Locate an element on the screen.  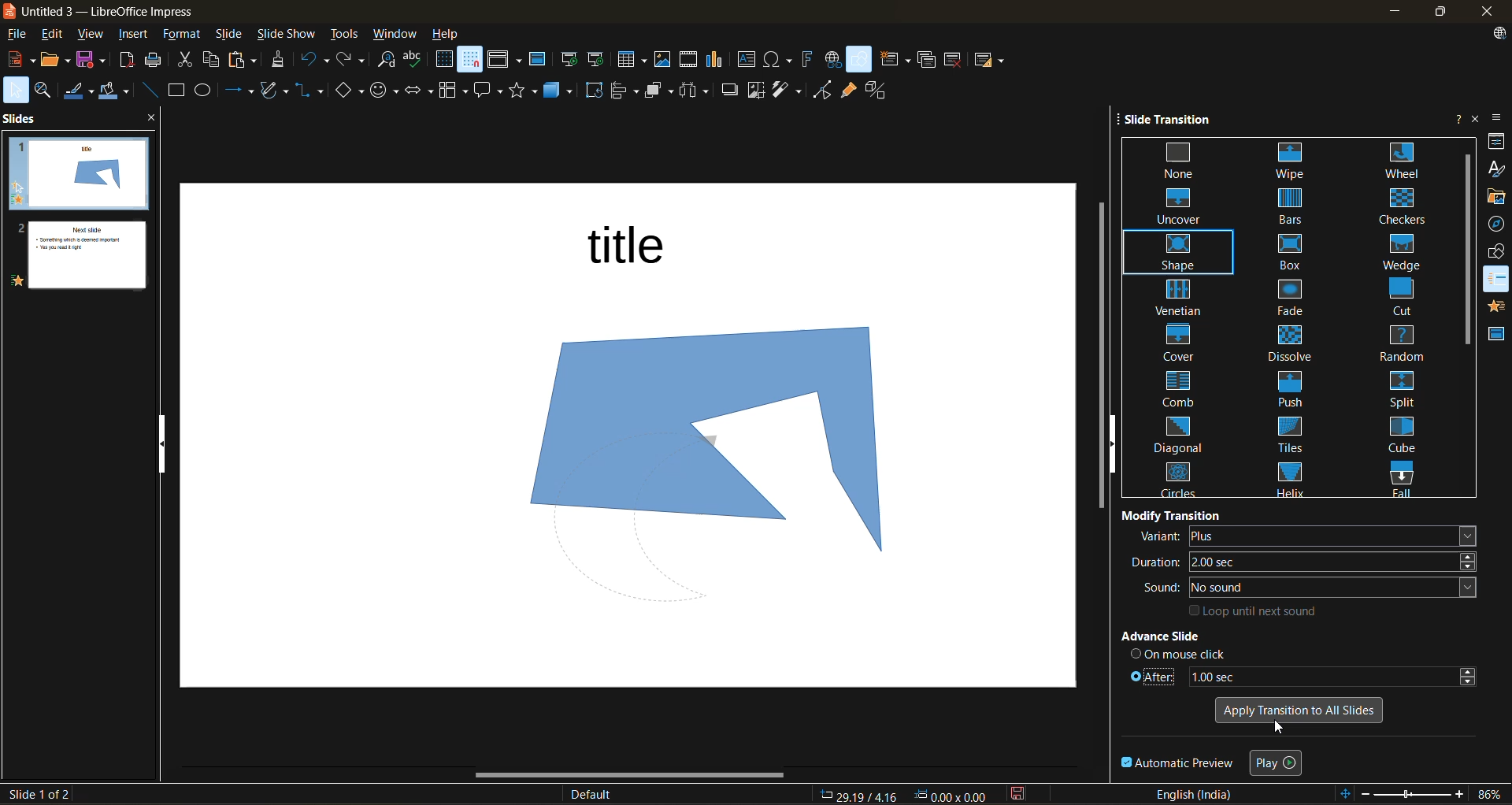
slide is located at coordinates (231, 34).